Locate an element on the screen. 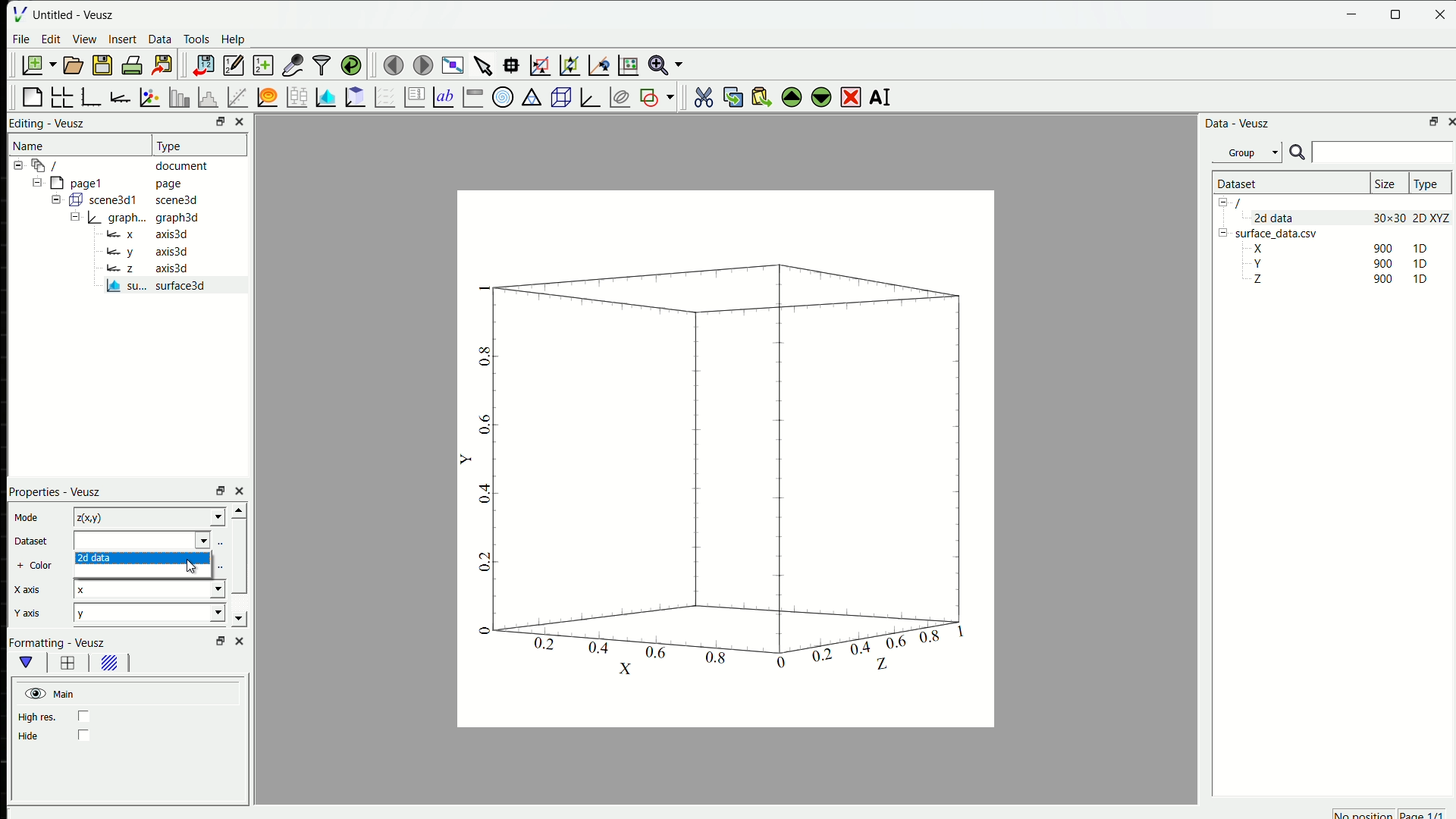  + Color is located at coordinates (35, 566).